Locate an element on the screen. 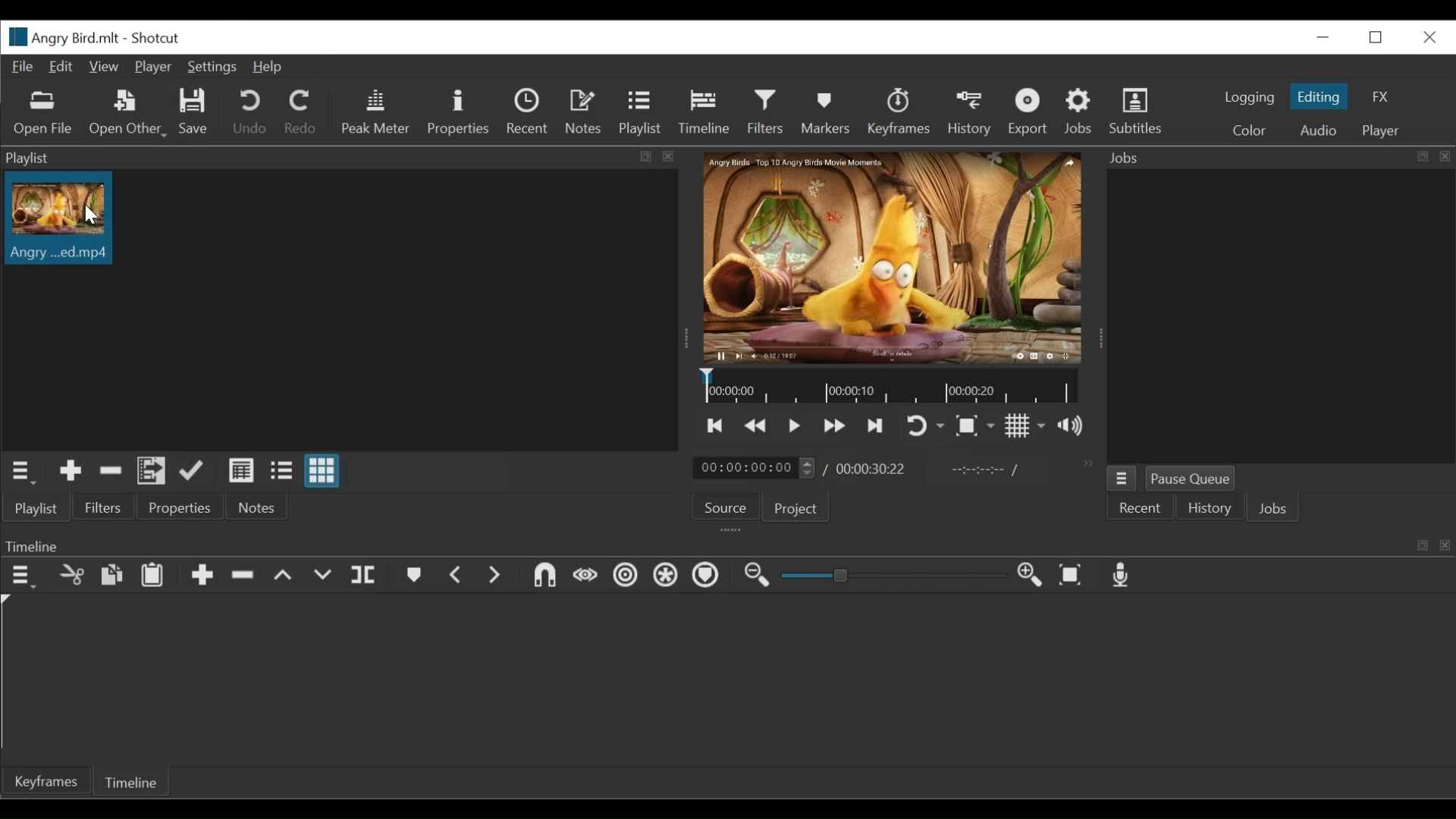 This screenshot has width=1456, height=819. Current duration is located at coordinates (755, 468).